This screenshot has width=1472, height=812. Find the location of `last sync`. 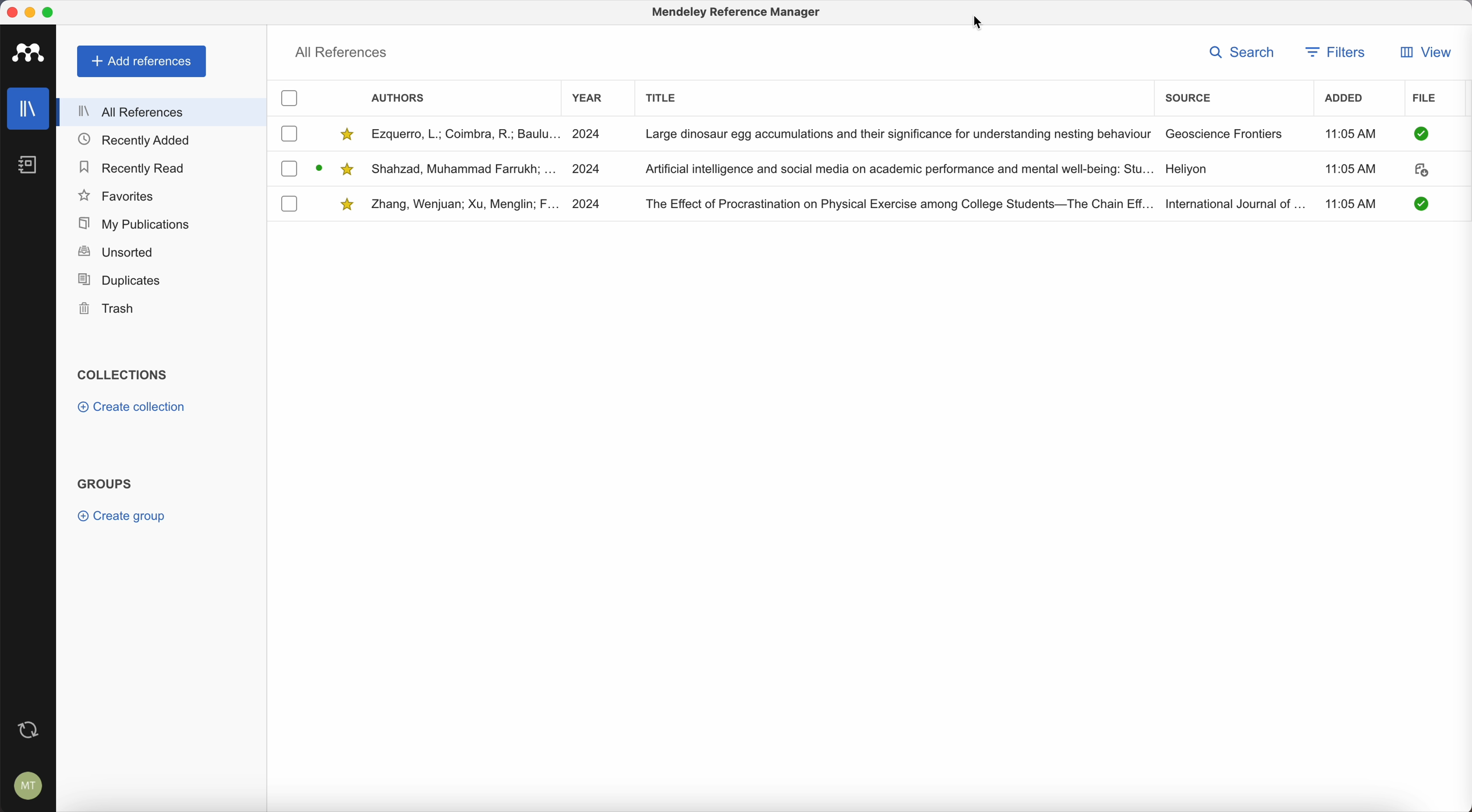

last sync is located at coordinates (29, 727).